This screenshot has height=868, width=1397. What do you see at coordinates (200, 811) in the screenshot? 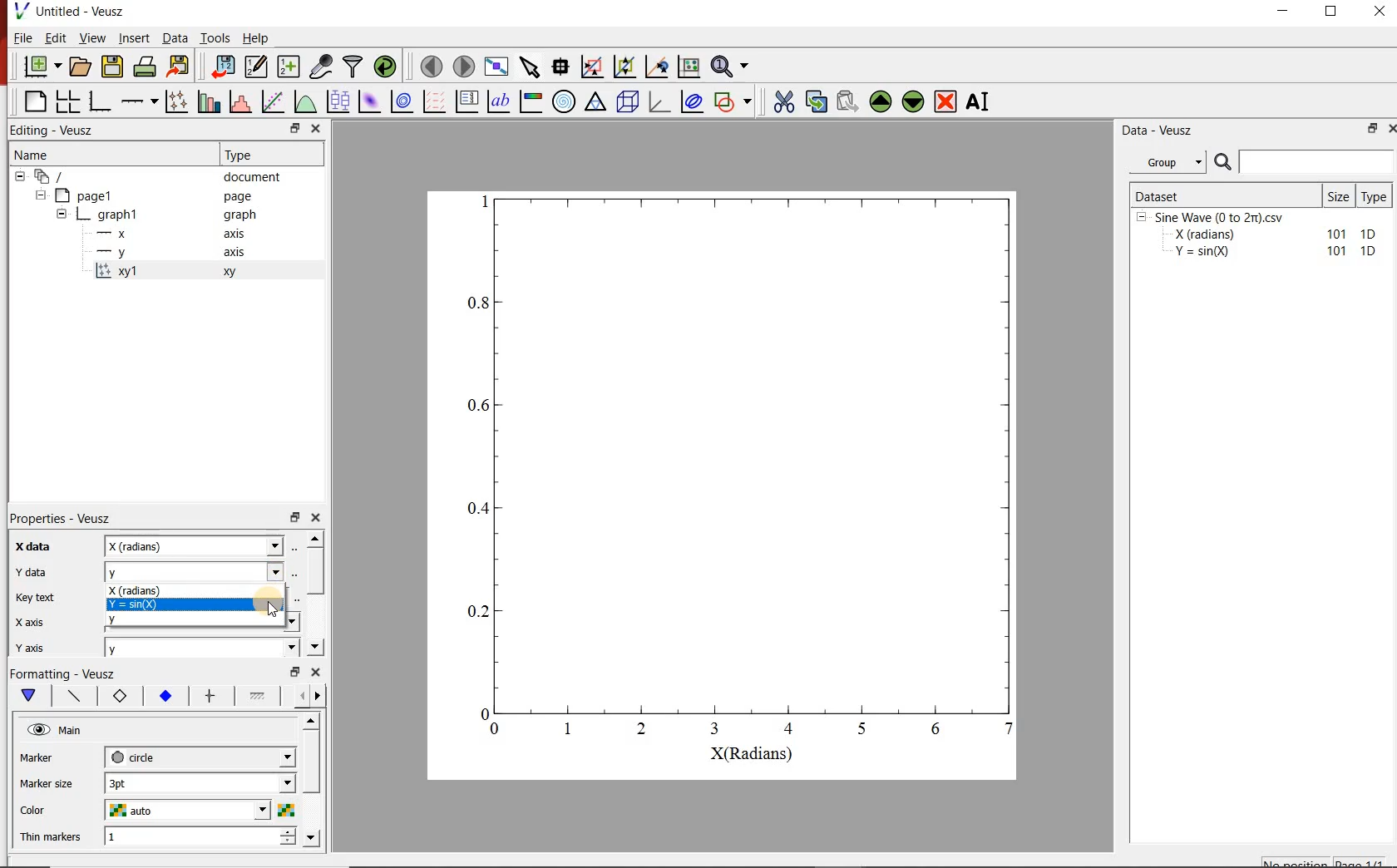
I see `auto` at bounding box center [200, 811].